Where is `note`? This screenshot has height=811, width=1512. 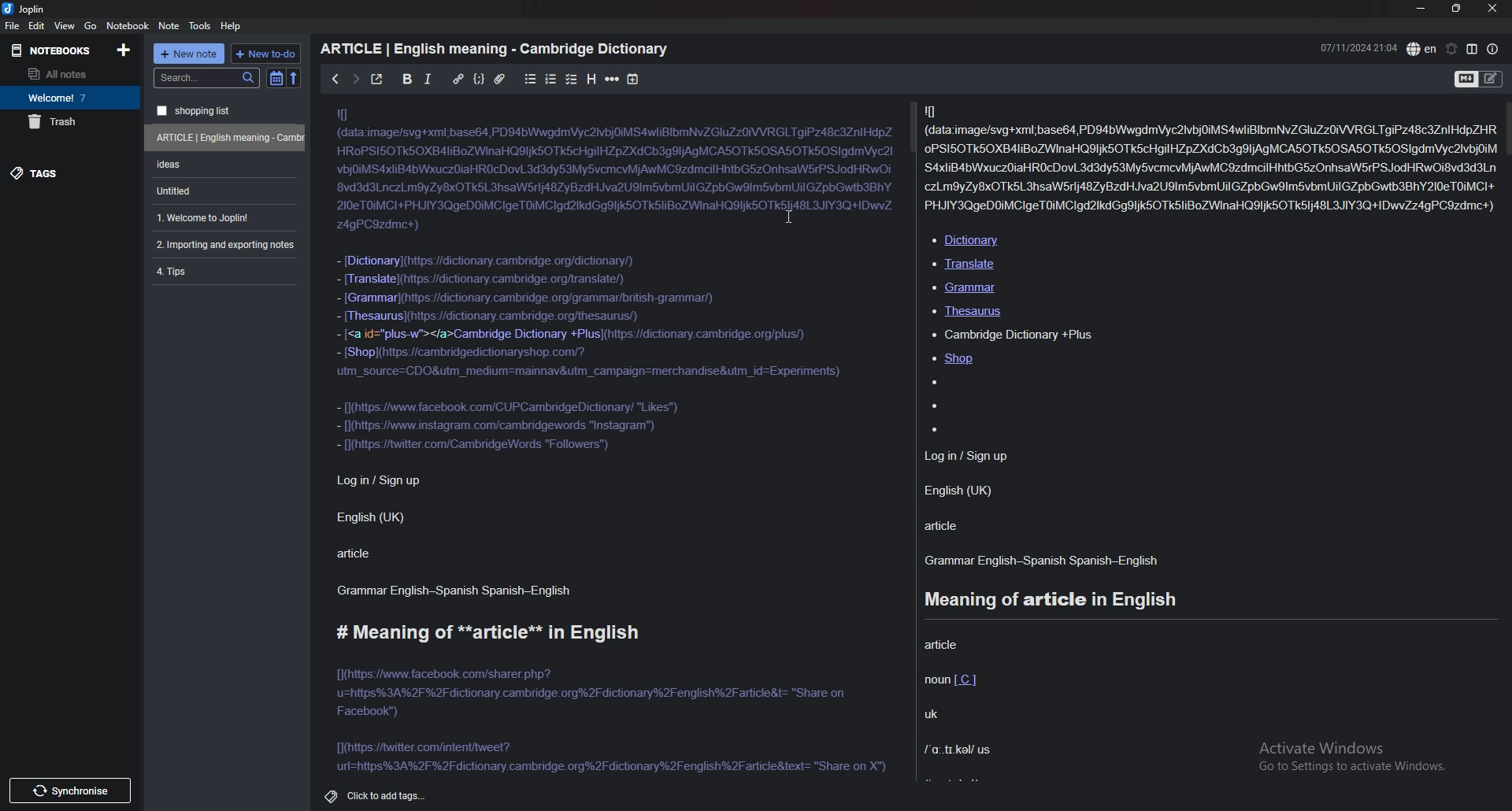 note is located at coordinates (227, 271).